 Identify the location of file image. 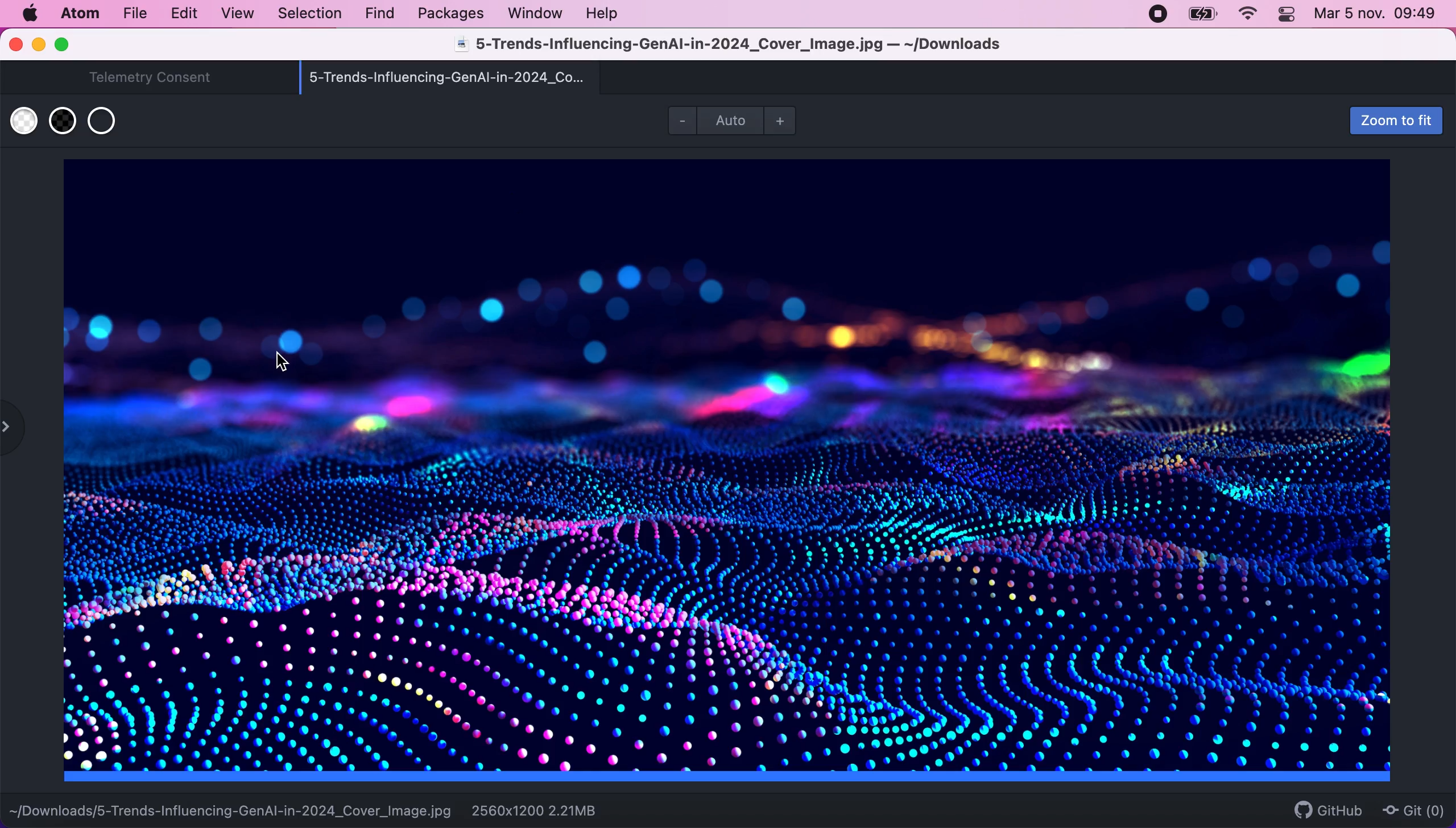
(737, 472).